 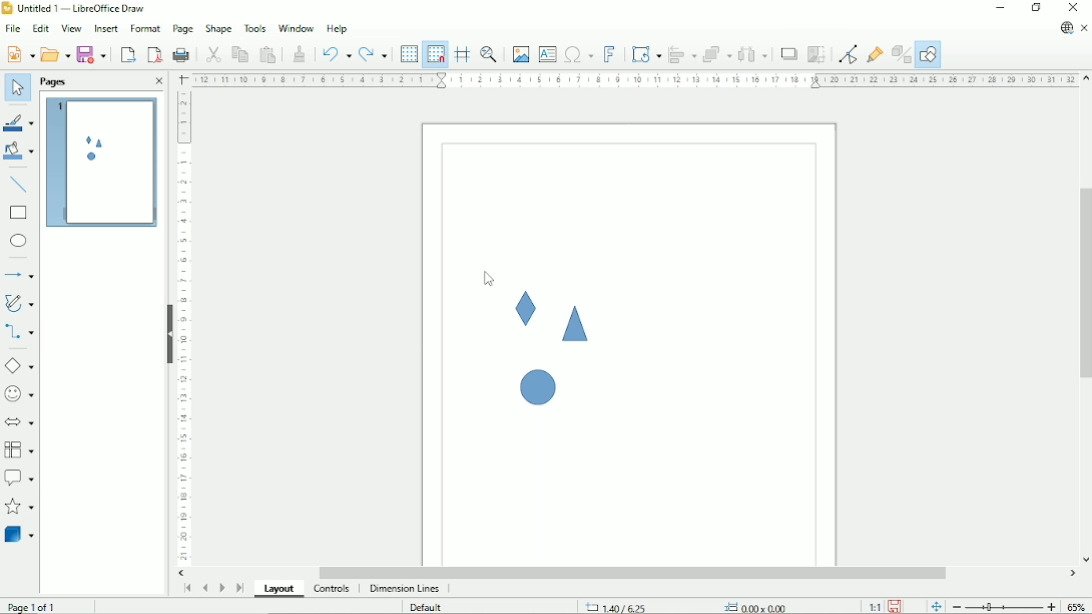 I want to click on Zoom & pan, so click(x=488, y=54).